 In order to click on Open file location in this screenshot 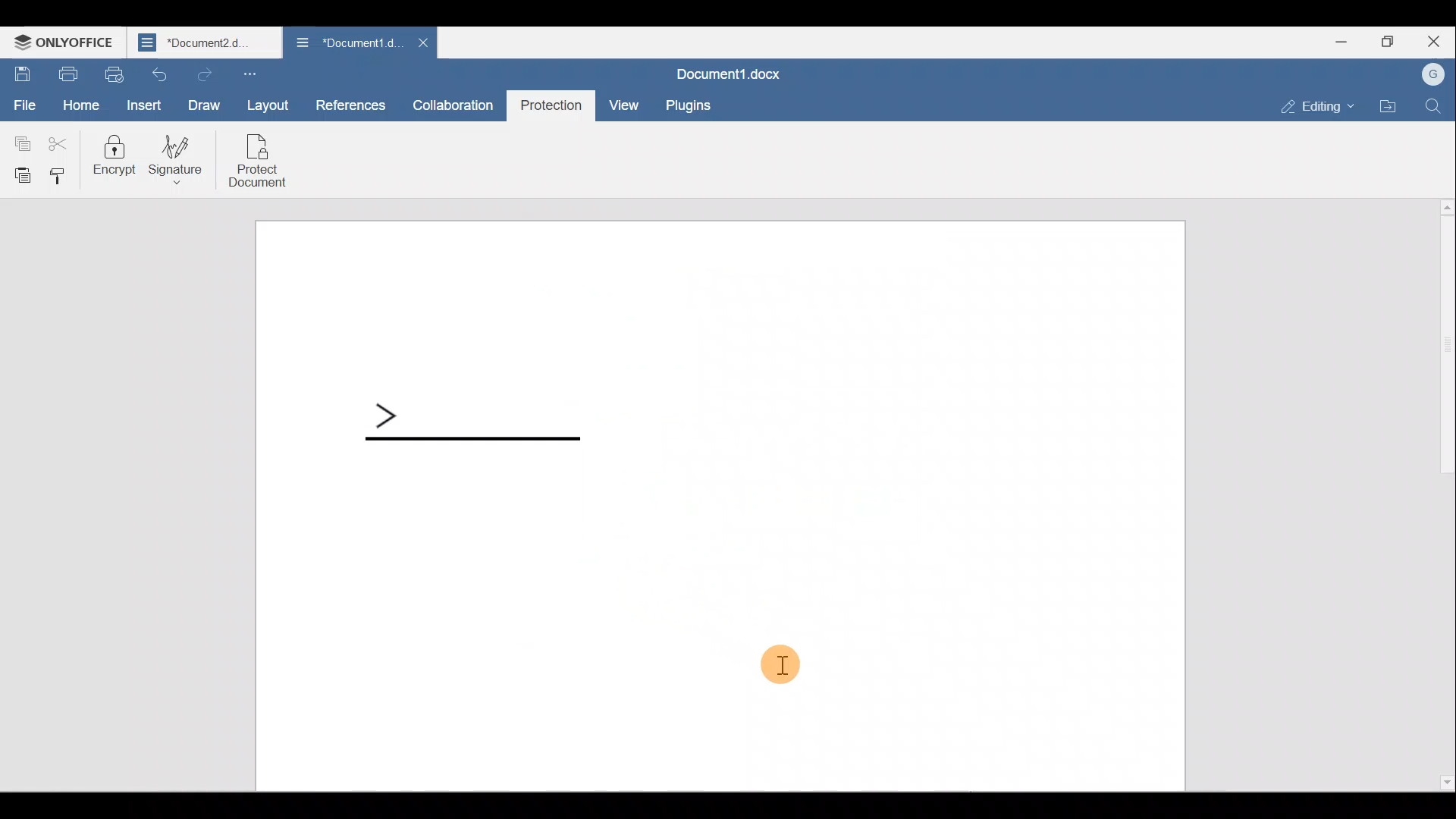, I will do `click(1392, 105)`.